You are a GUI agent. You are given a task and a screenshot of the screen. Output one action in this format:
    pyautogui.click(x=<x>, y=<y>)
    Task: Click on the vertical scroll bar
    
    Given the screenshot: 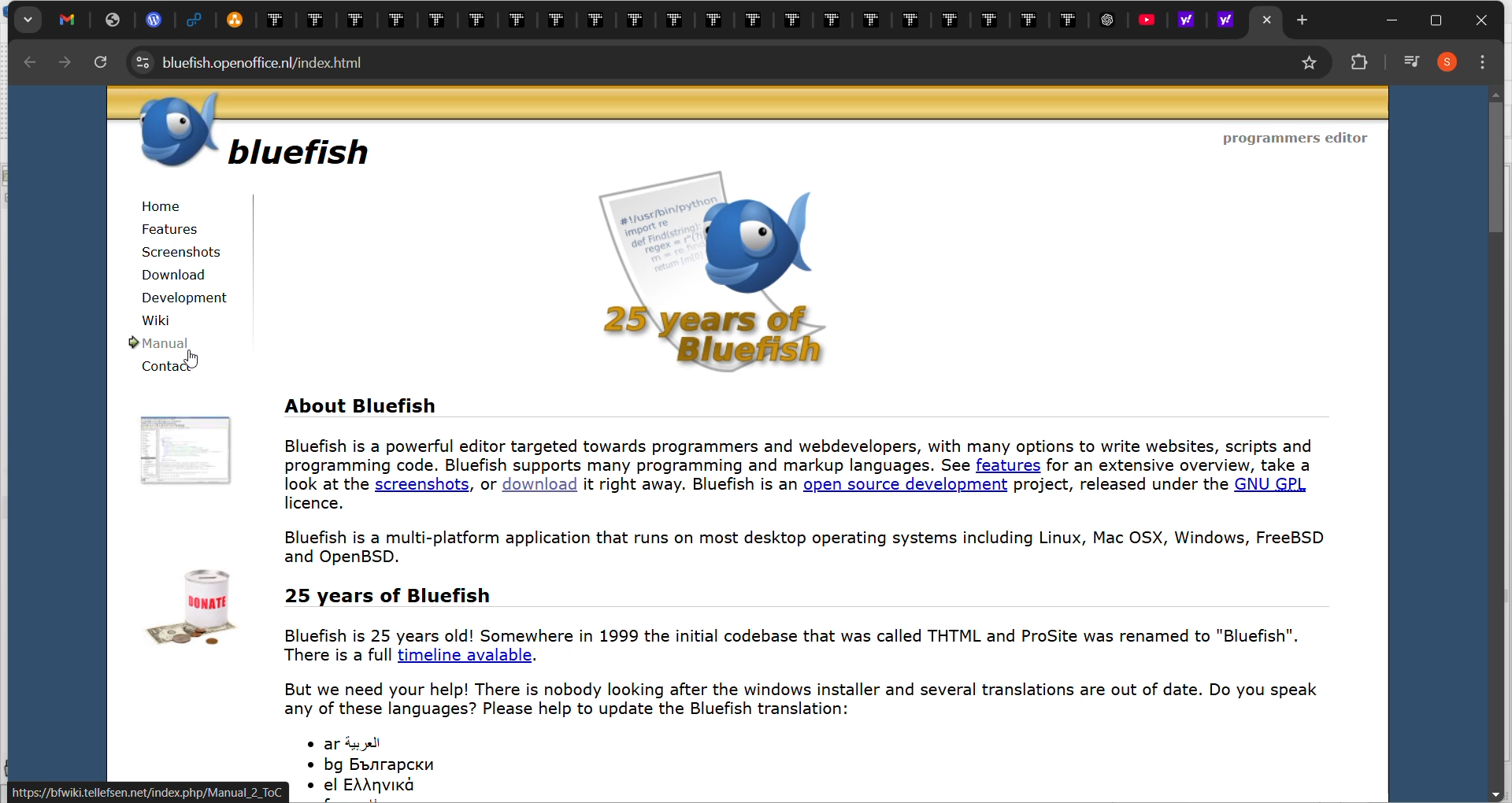 What is the action you would take?
    pyautogui.click(x=1496, y=169)
    